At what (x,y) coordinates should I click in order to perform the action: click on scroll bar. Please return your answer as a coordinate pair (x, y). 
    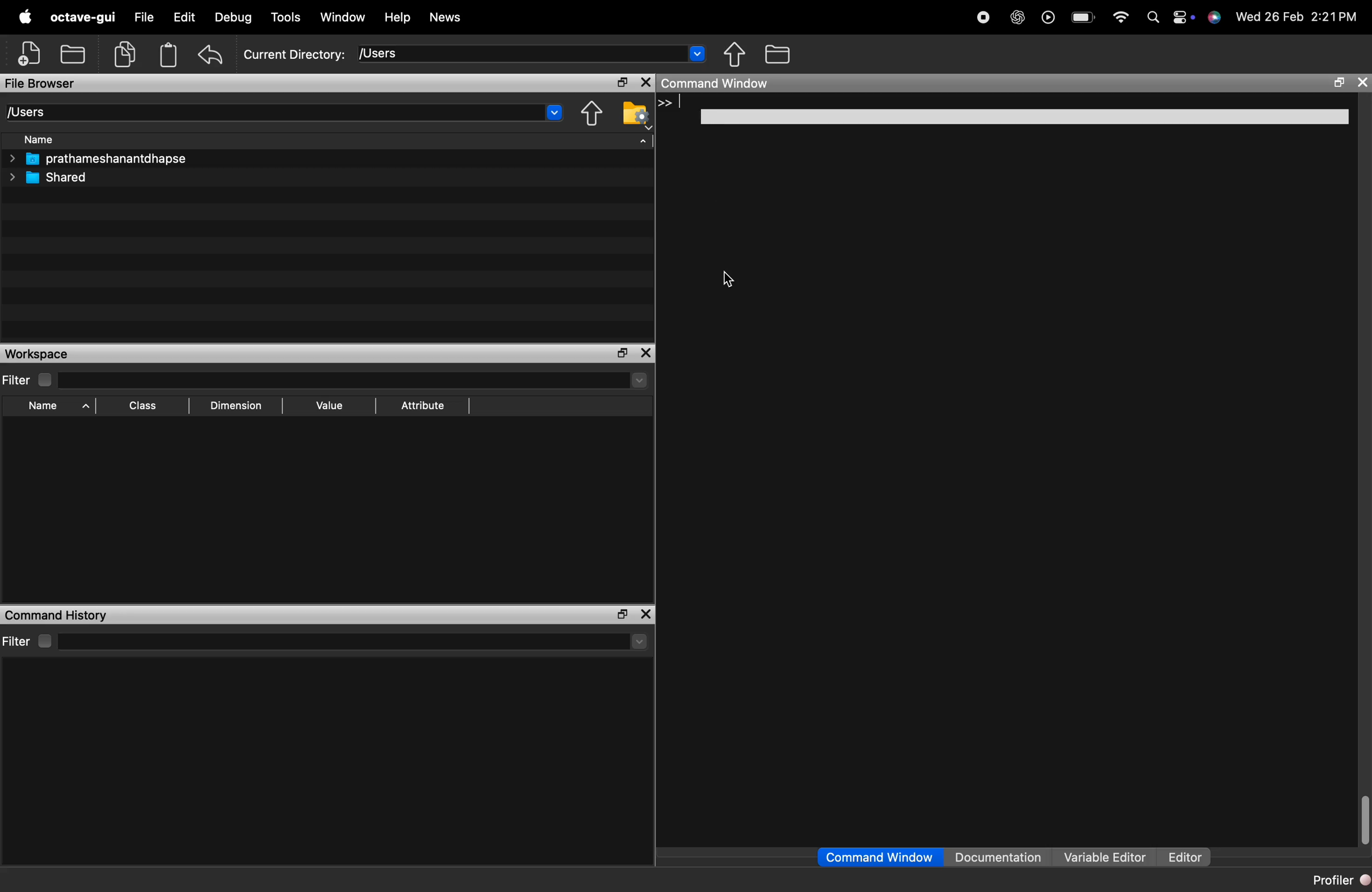
    Looking at the image, I should click on (1363, 821).